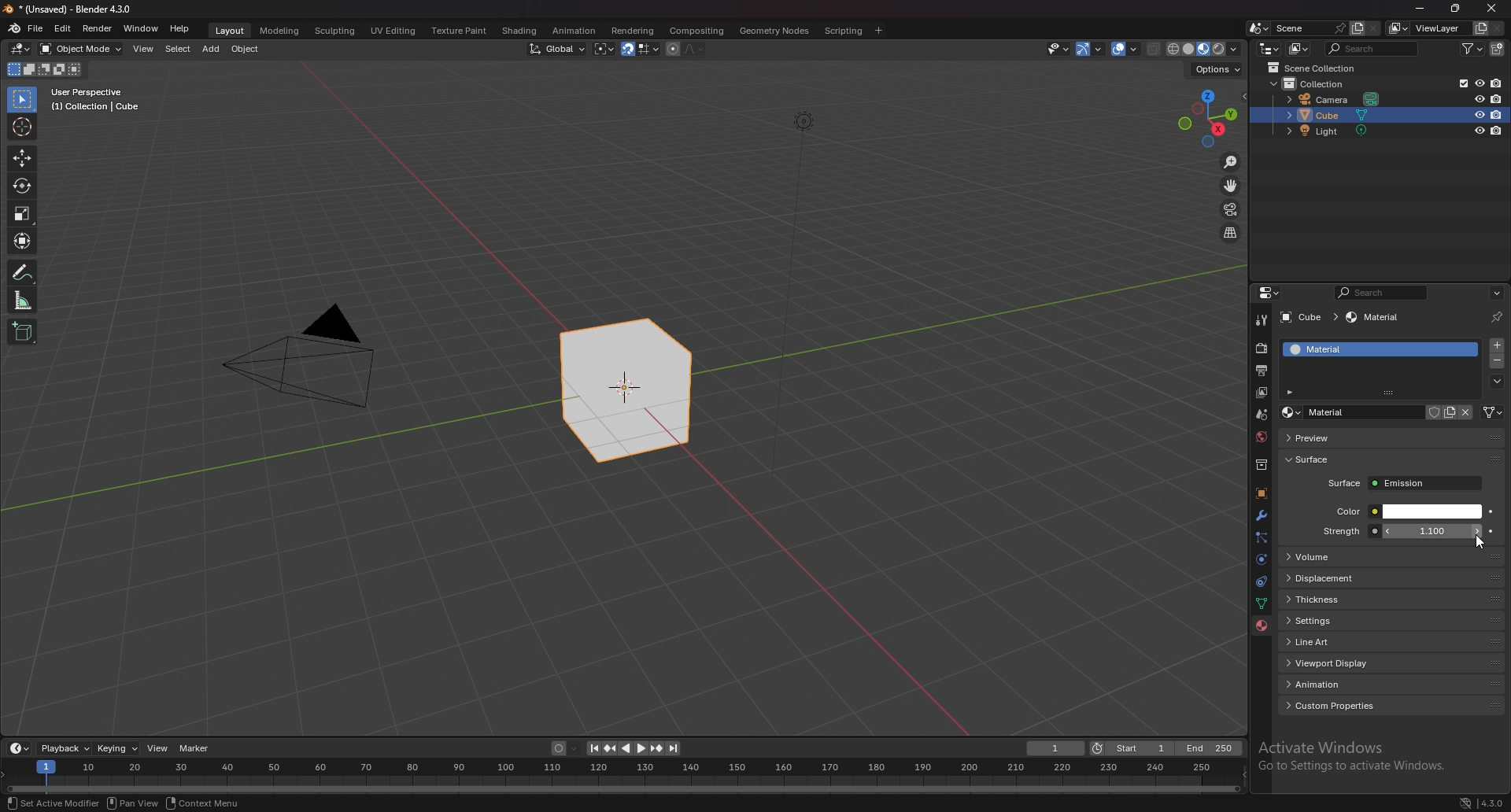  I want to click on color, so click(1407, 511).